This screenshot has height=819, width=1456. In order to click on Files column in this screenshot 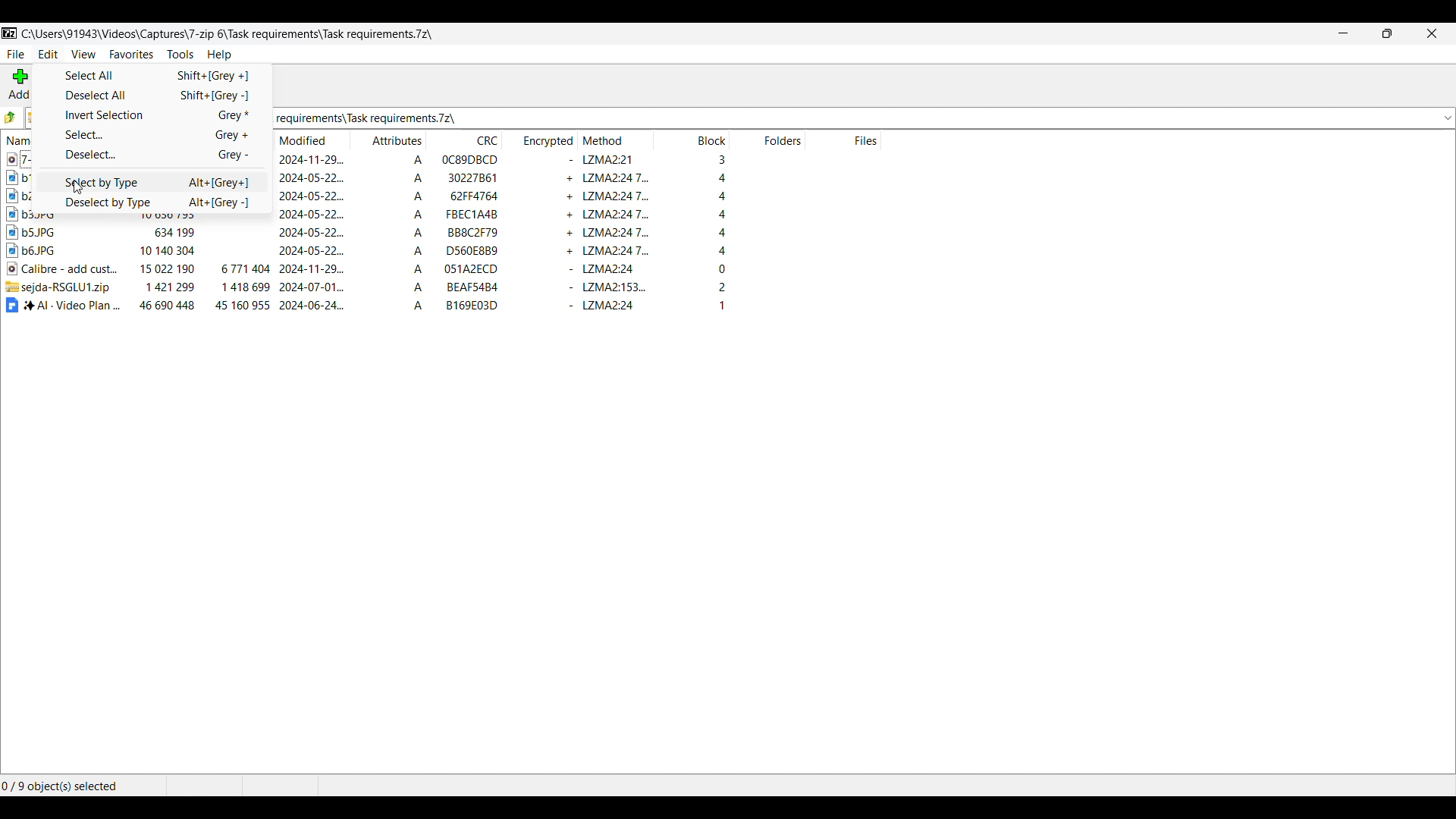, I will do `click(843, 139)`.